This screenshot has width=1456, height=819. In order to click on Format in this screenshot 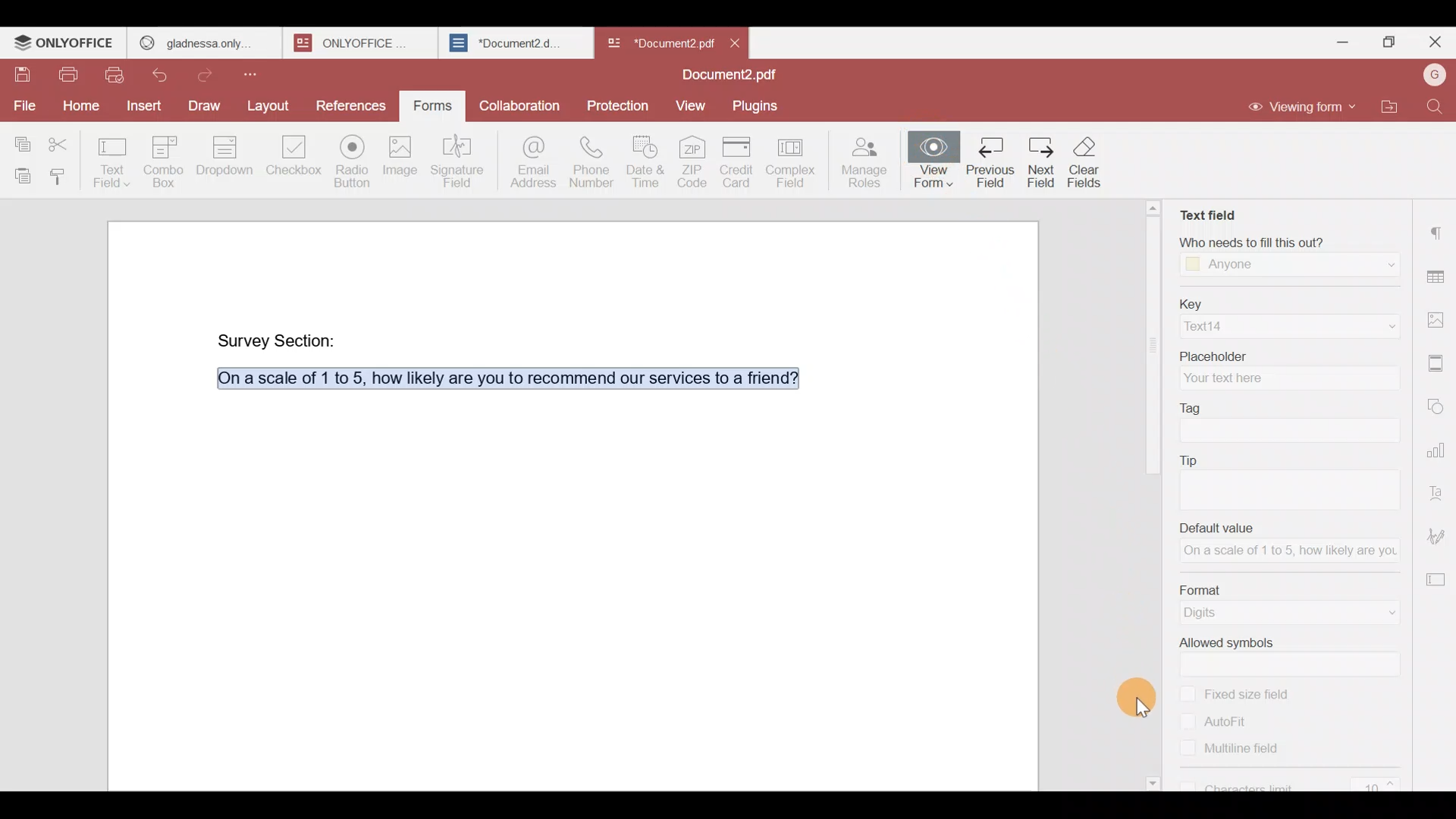, I will do `click(1288, 587)`.